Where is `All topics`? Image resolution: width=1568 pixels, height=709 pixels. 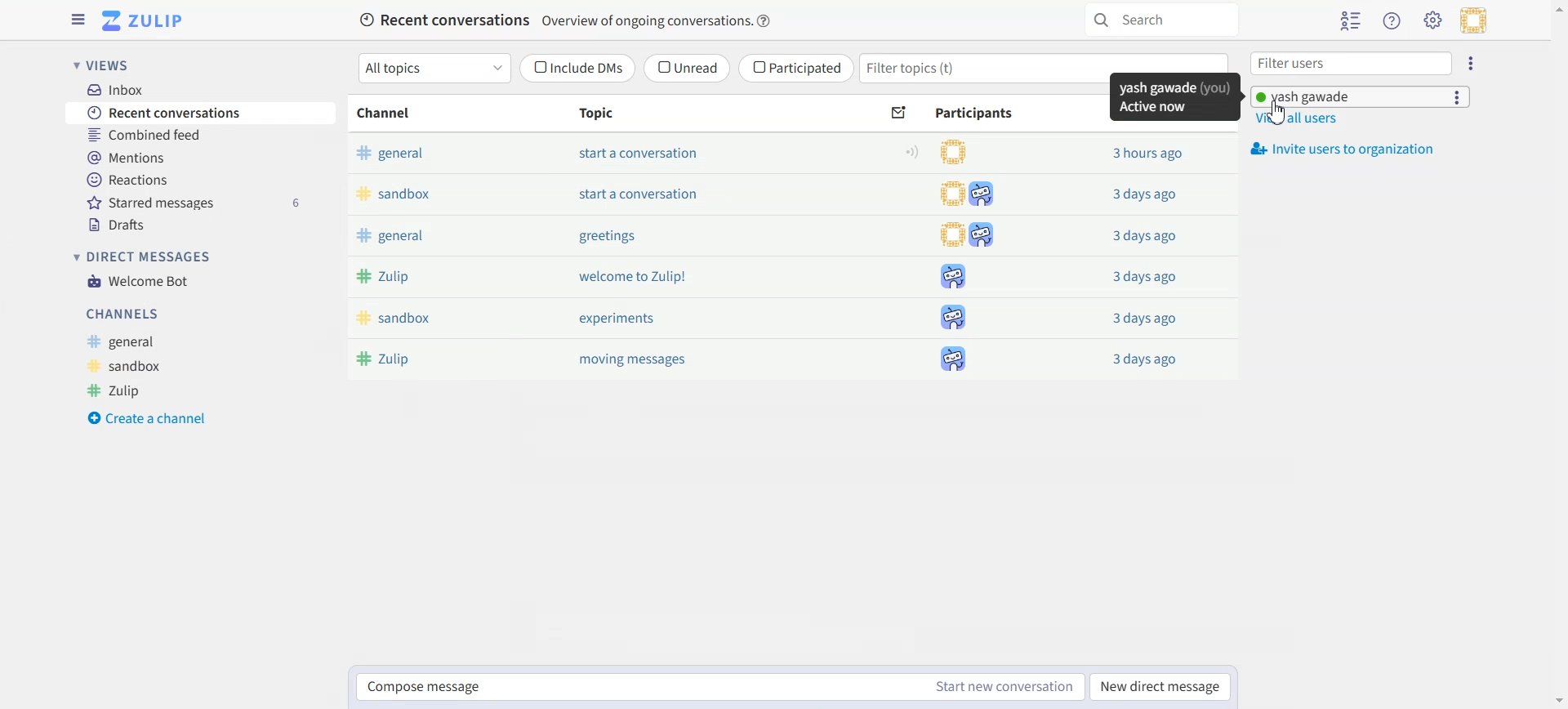 All topics is located at coordinates (436, 68).